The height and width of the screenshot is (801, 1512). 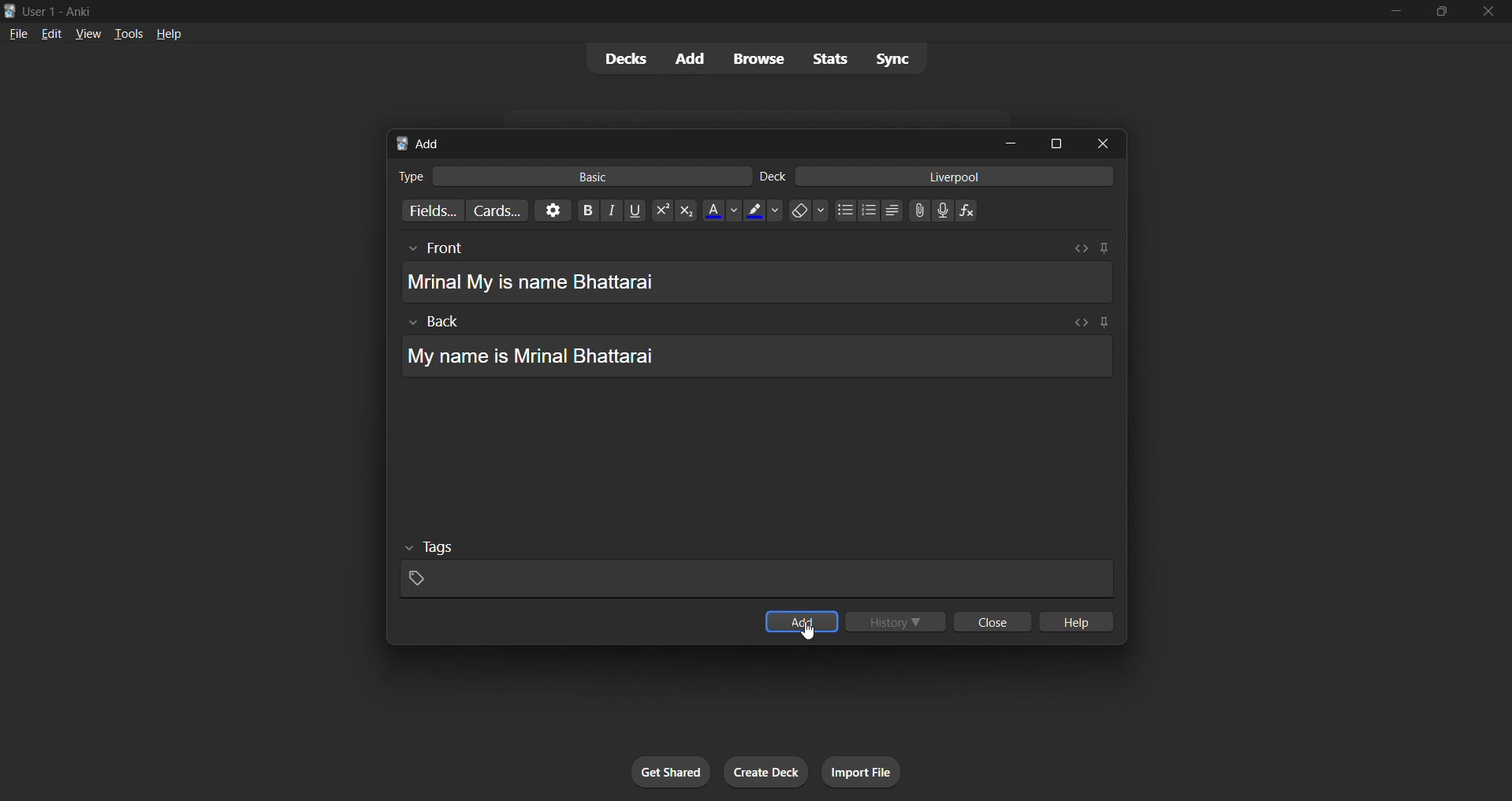 I want to click on maximize, so click(x=1056, y=143).